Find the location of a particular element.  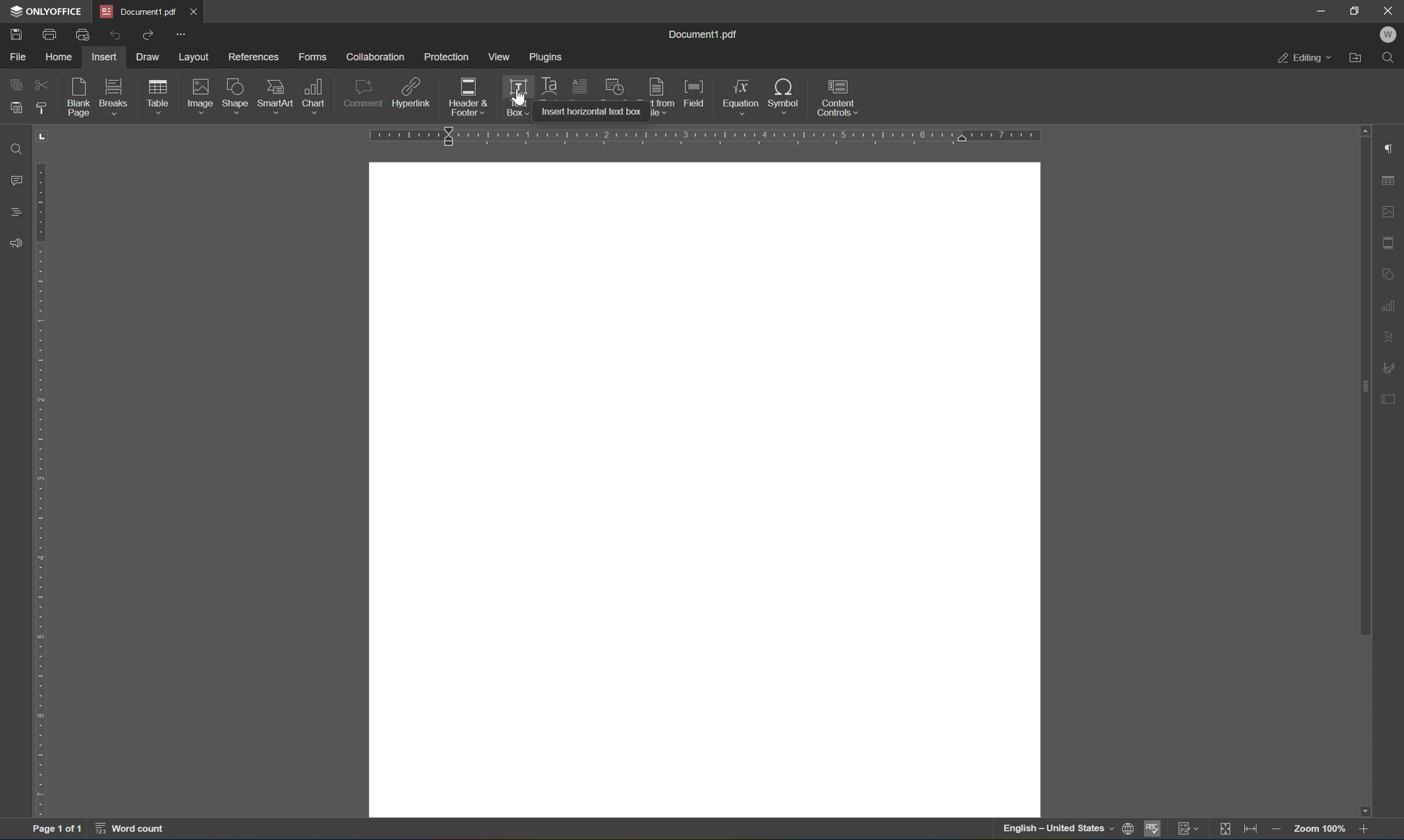

Minimize is located at coordinates (1321, 11).